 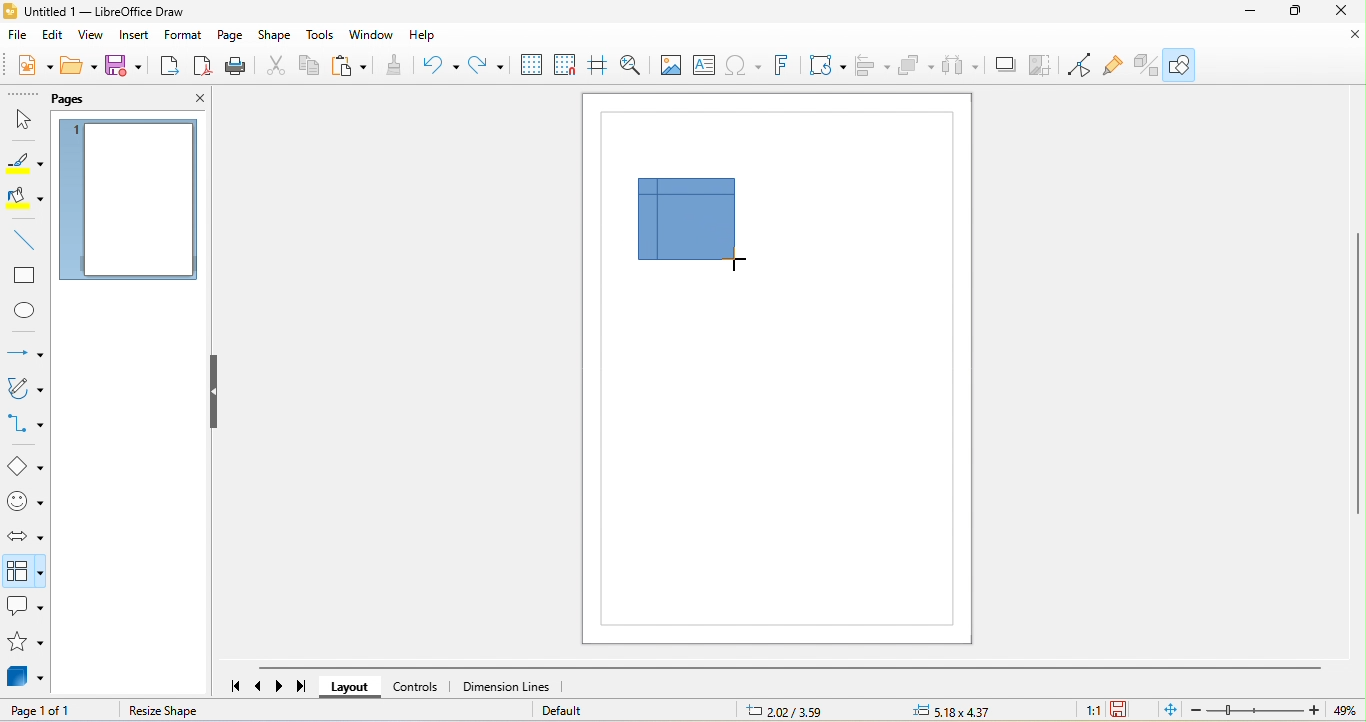 What do you see at coordinates (233, 687) in the screenshot?
I see `scroll to first page` at bounding box center [233, 687].